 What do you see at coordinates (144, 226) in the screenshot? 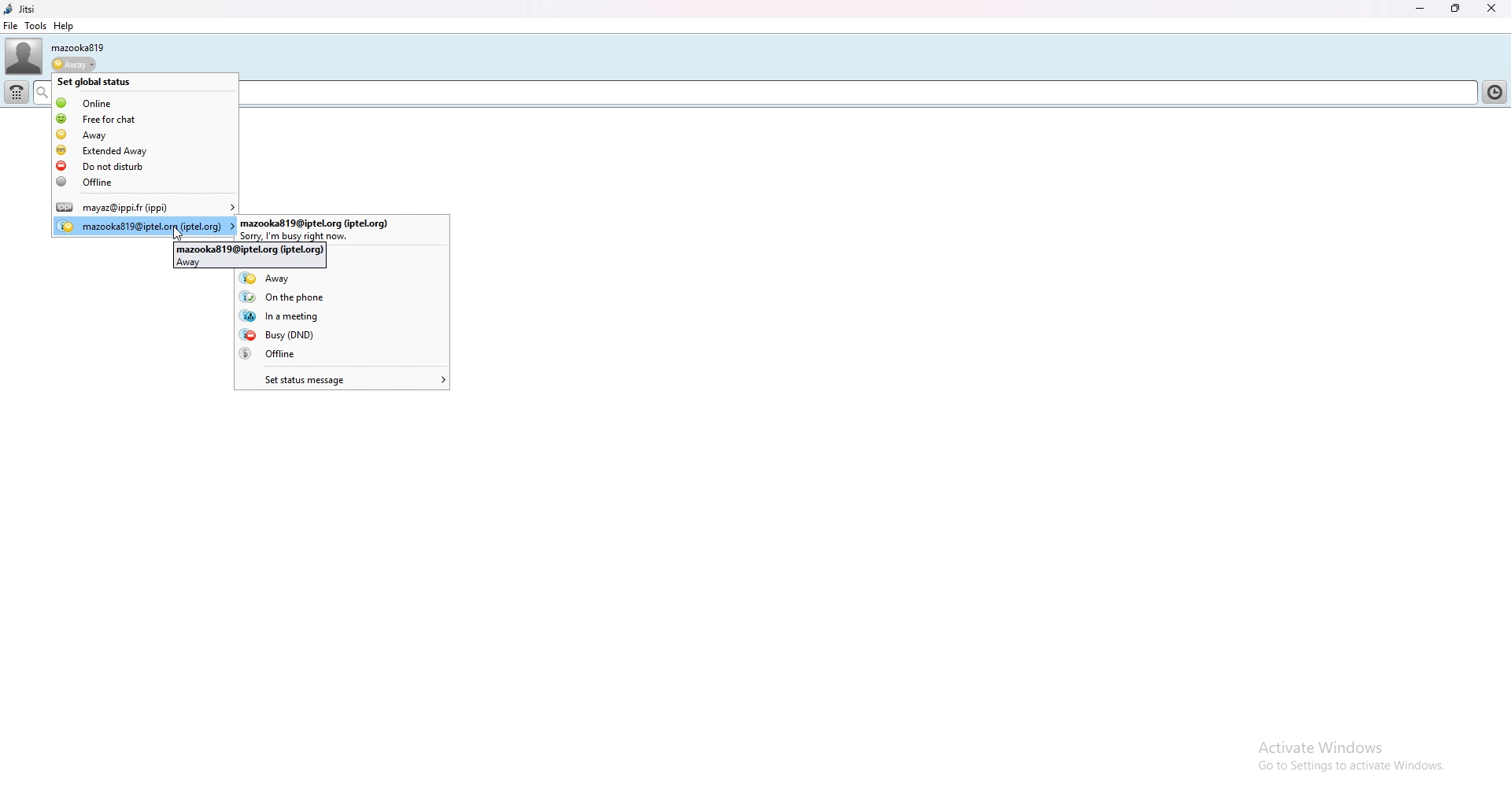
I see `user account` at bounding box center [144, 226].